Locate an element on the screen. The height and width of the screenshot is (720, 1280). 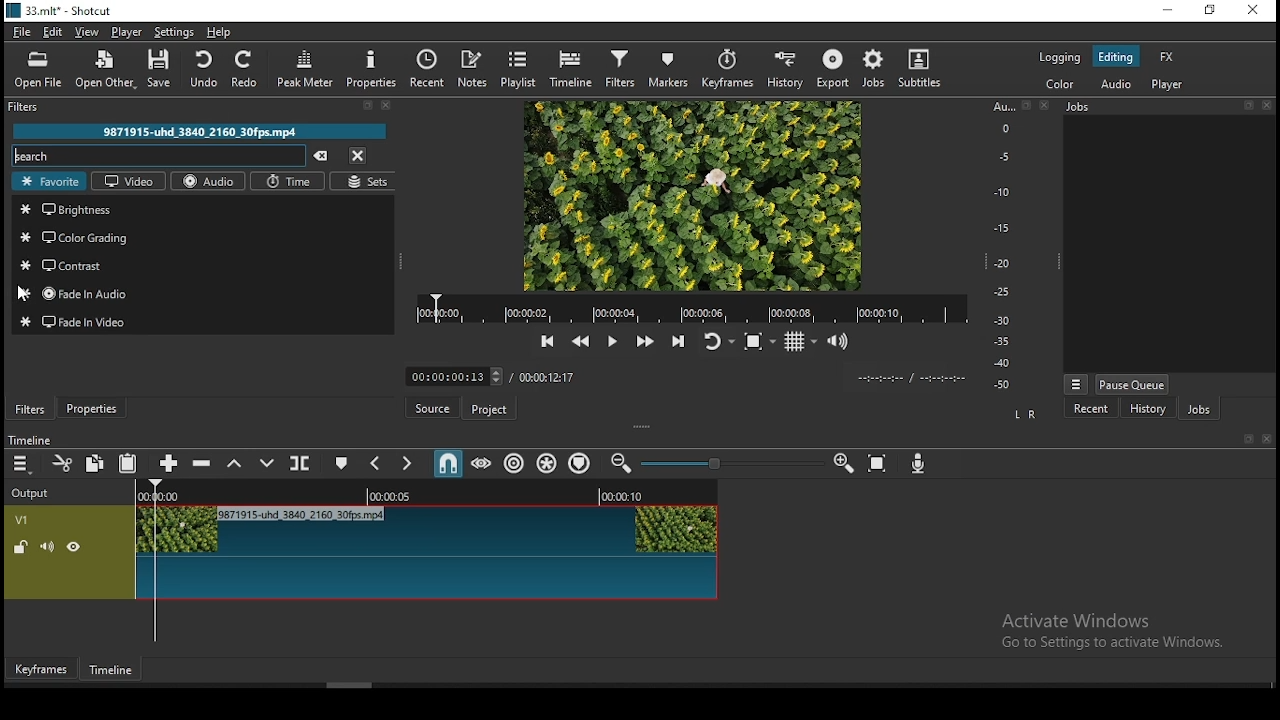
-35 is located at coordinates (1000, 339).